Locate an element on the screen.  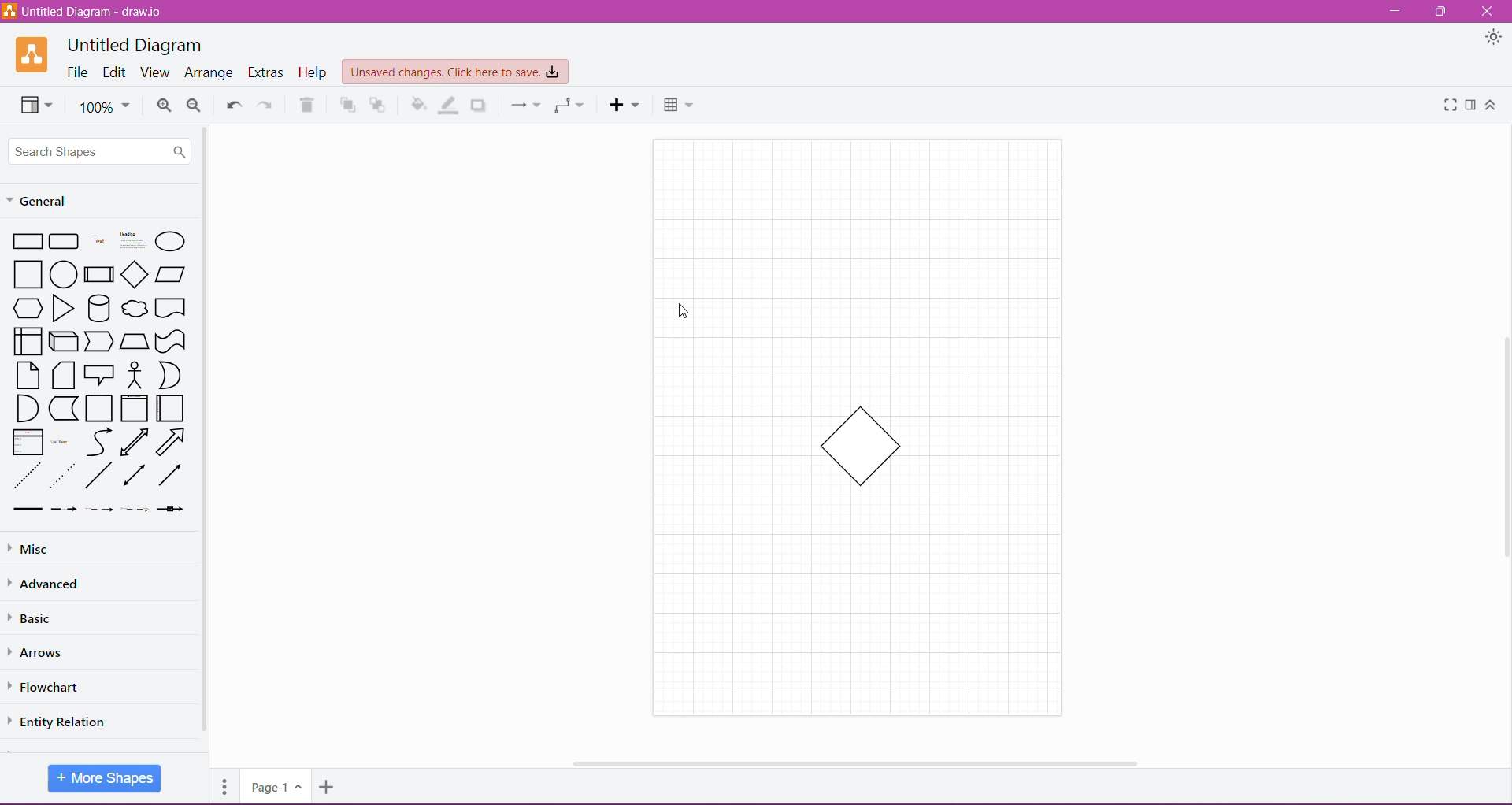
Misc is located at coordinates (38, 548).